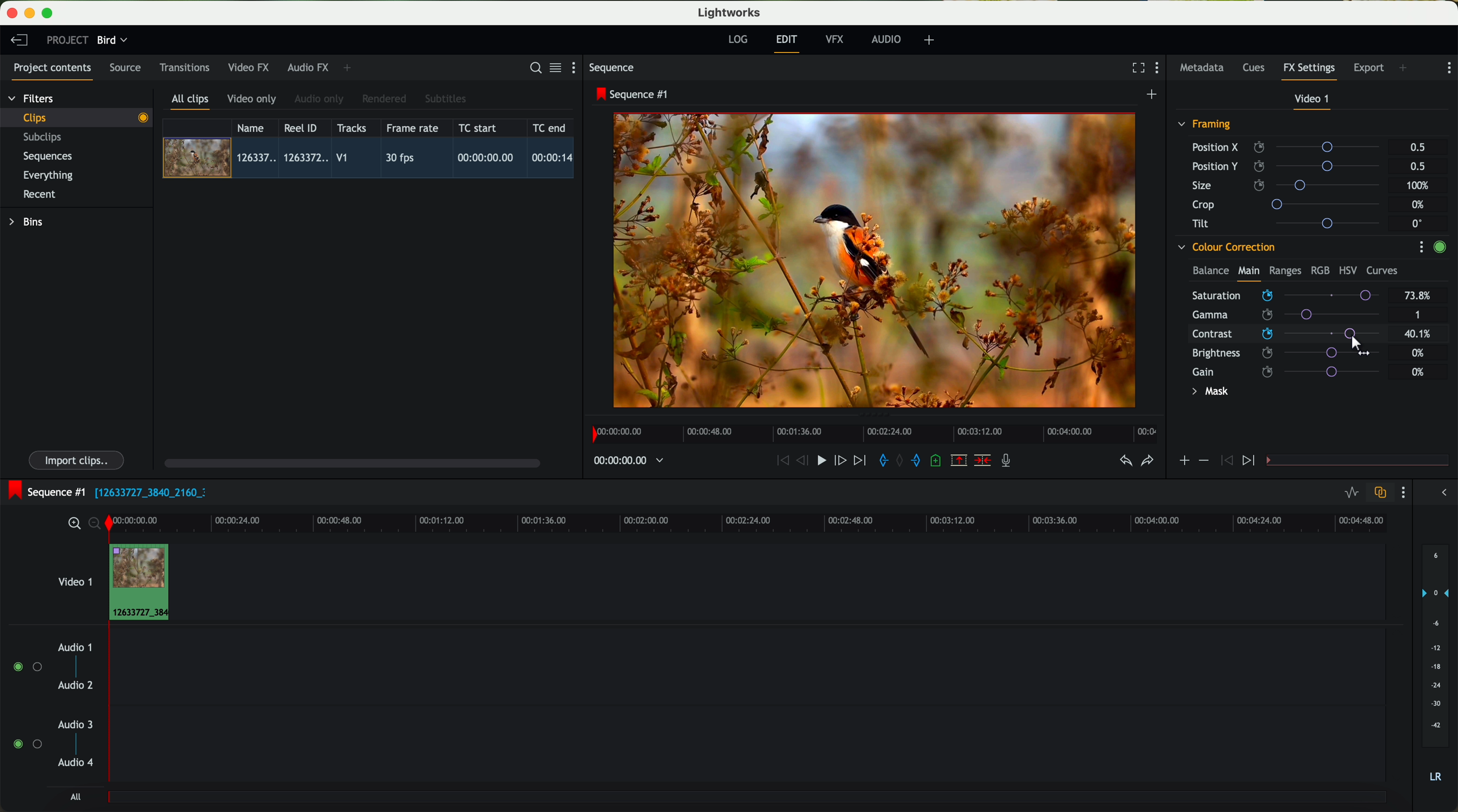 The image size is (1458, 812). Describe the element at coordinates (1439, 248) in the screenshot. I see `enable` at that location.